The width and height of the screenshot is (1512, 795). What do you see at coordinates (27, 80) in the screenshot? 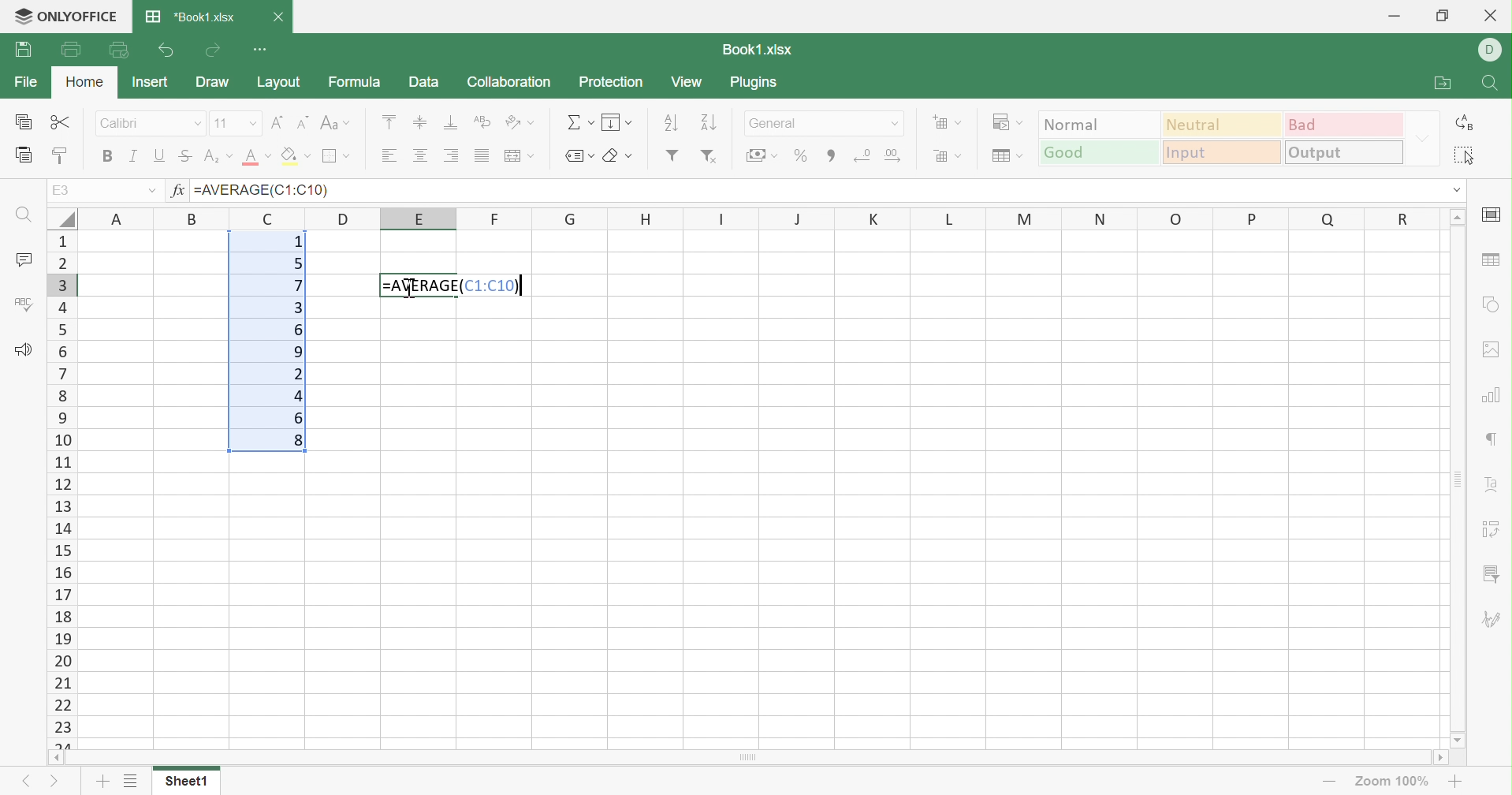
I see `File` at bounding box center [27, 80].